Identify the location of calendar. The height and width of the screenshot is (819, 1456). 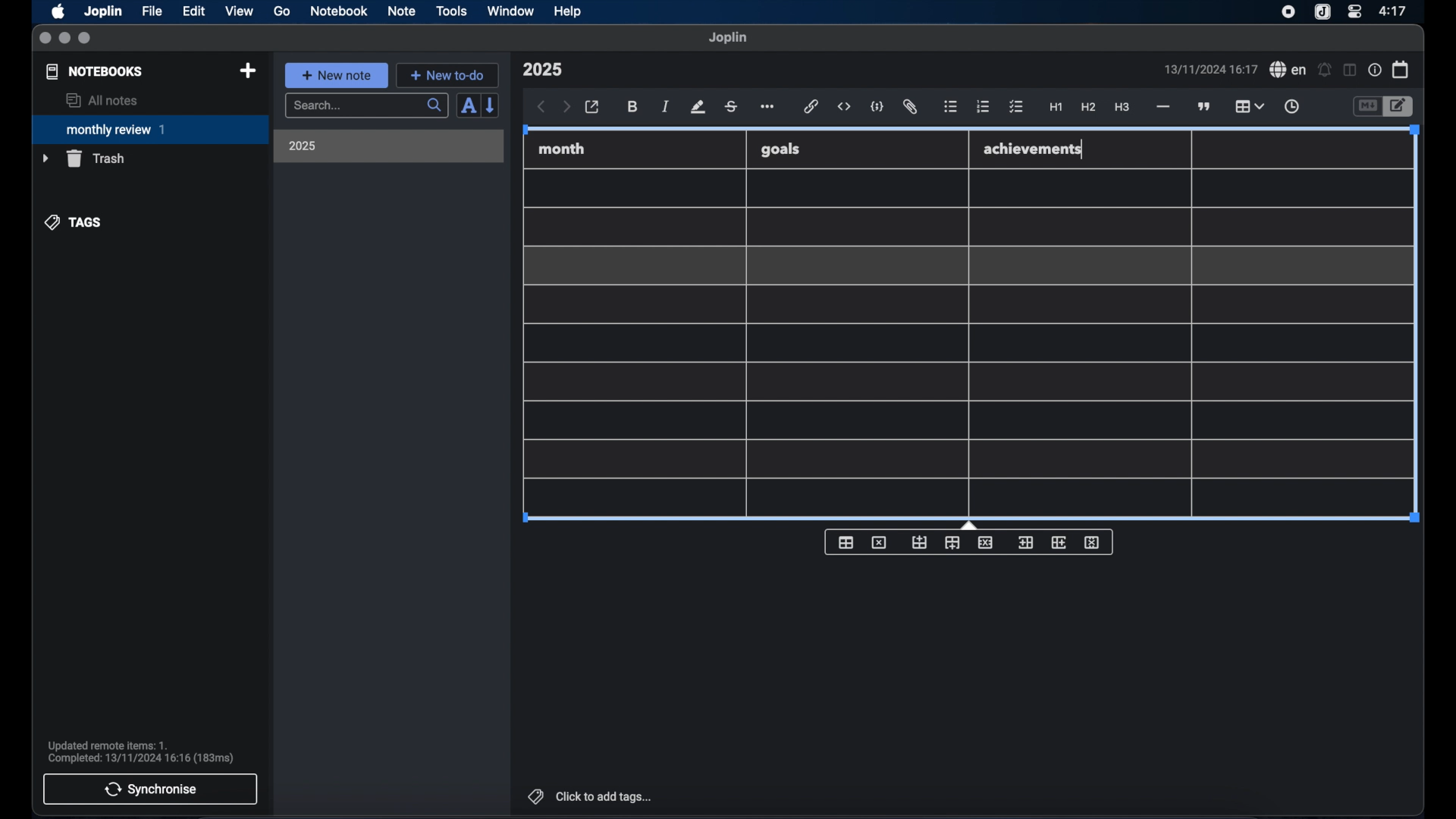
(1401, 69).